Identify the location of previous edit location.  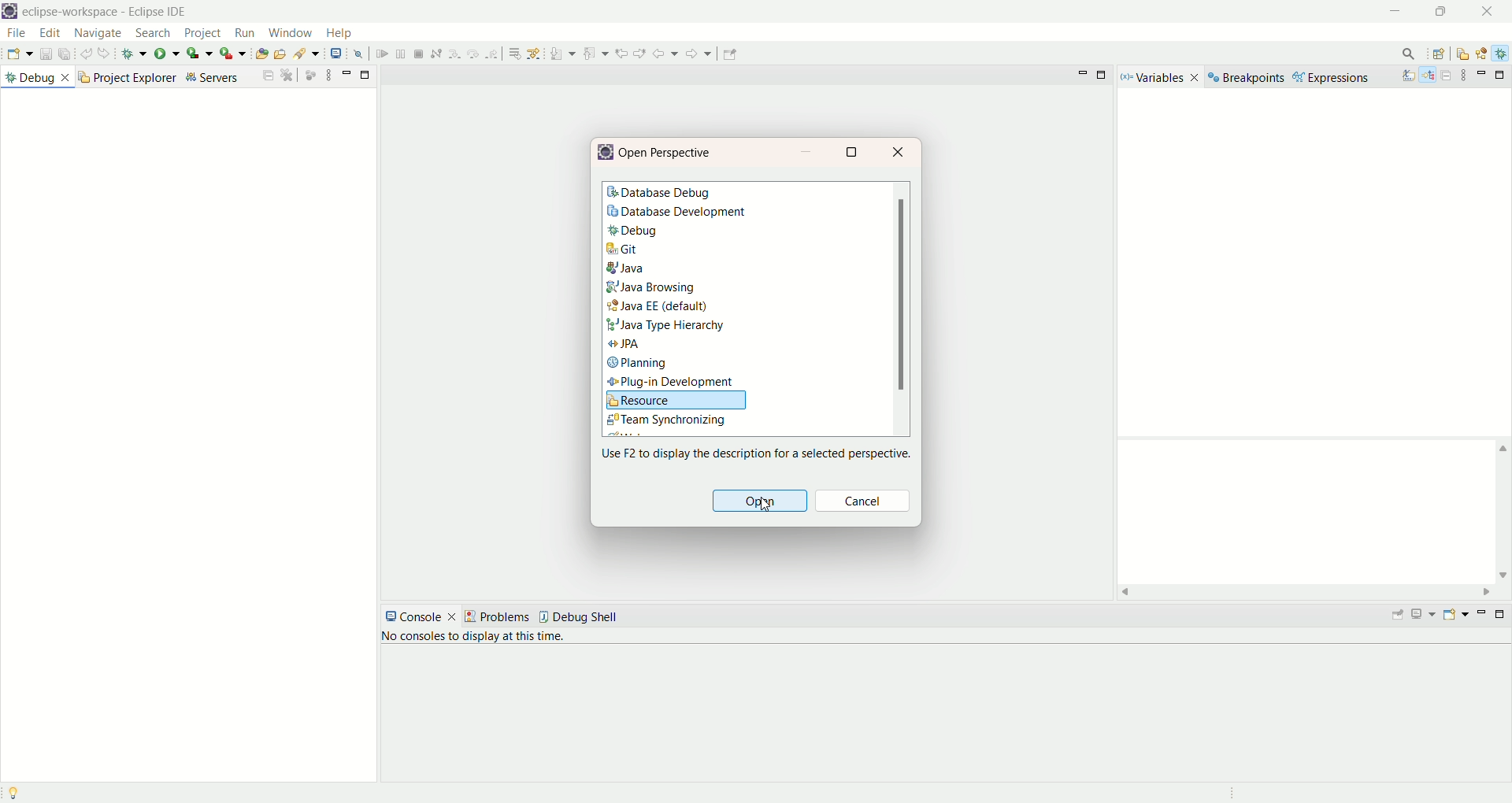
(730, 54).